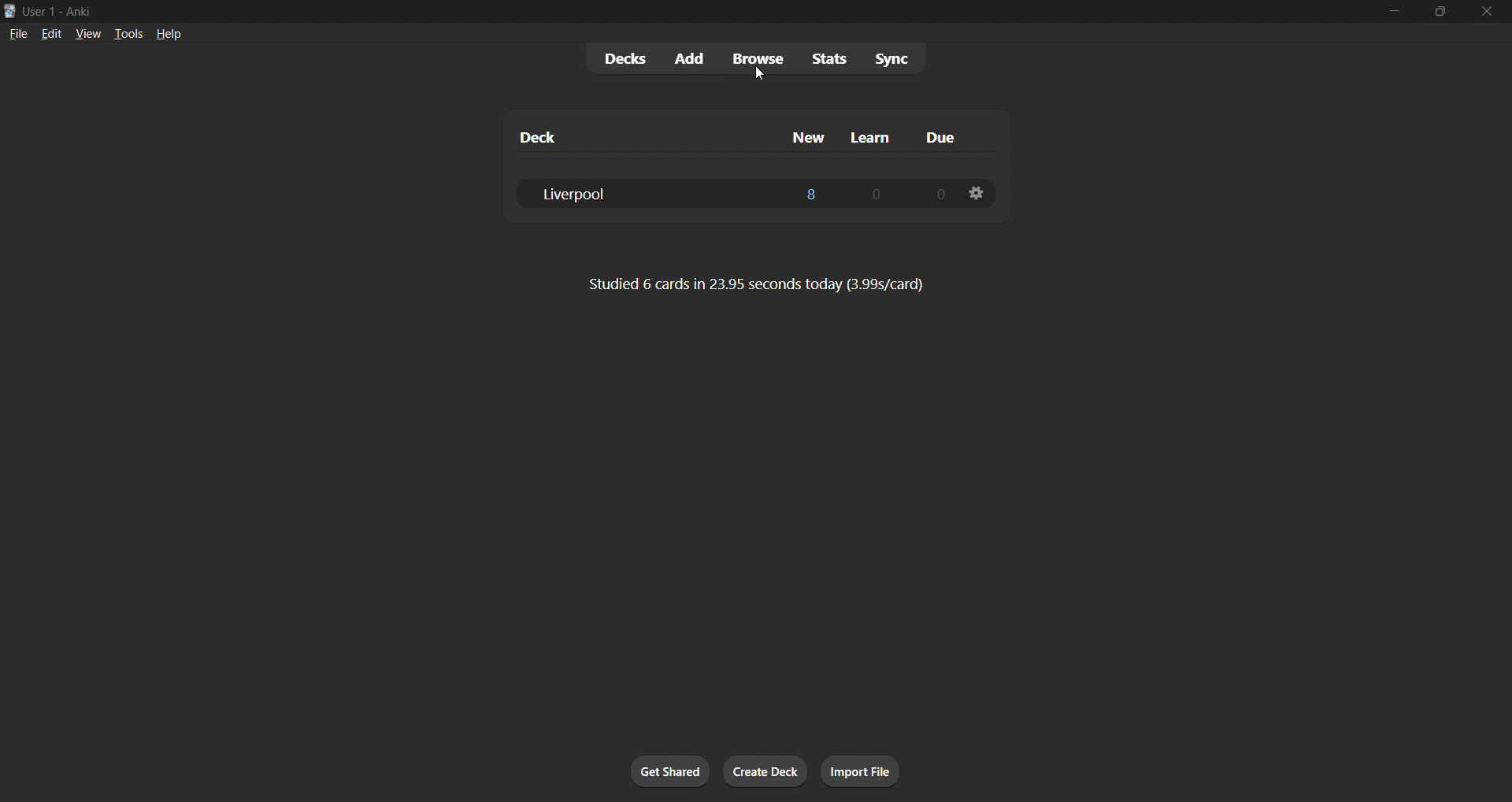 This screenshot has height=802, width=1512. I want to click on import file, so click(857, 774).